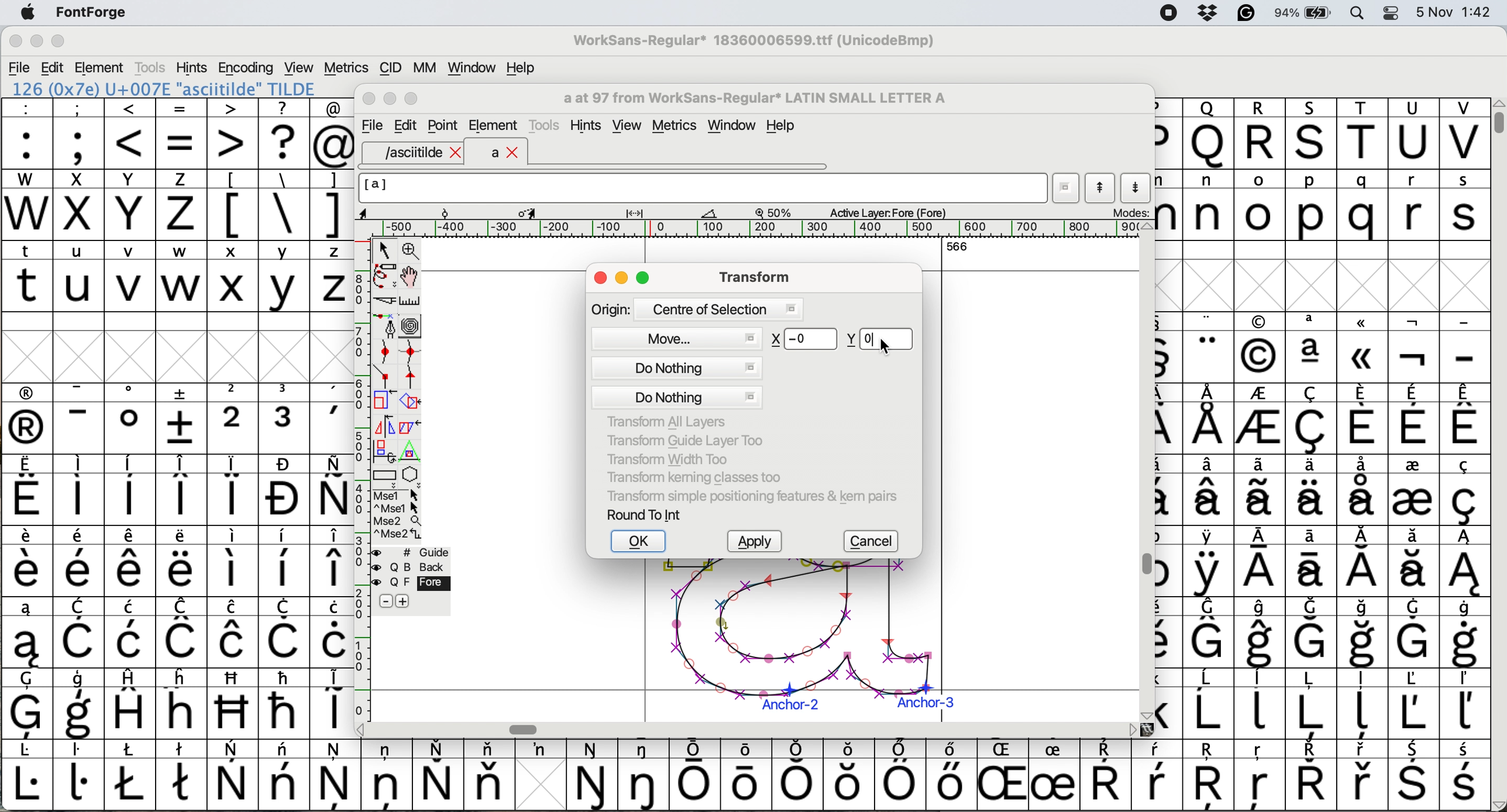 The image size is (1507, 812). Describe the element at coordinates (130, 278) in the screenshot. I see `v` at that location.